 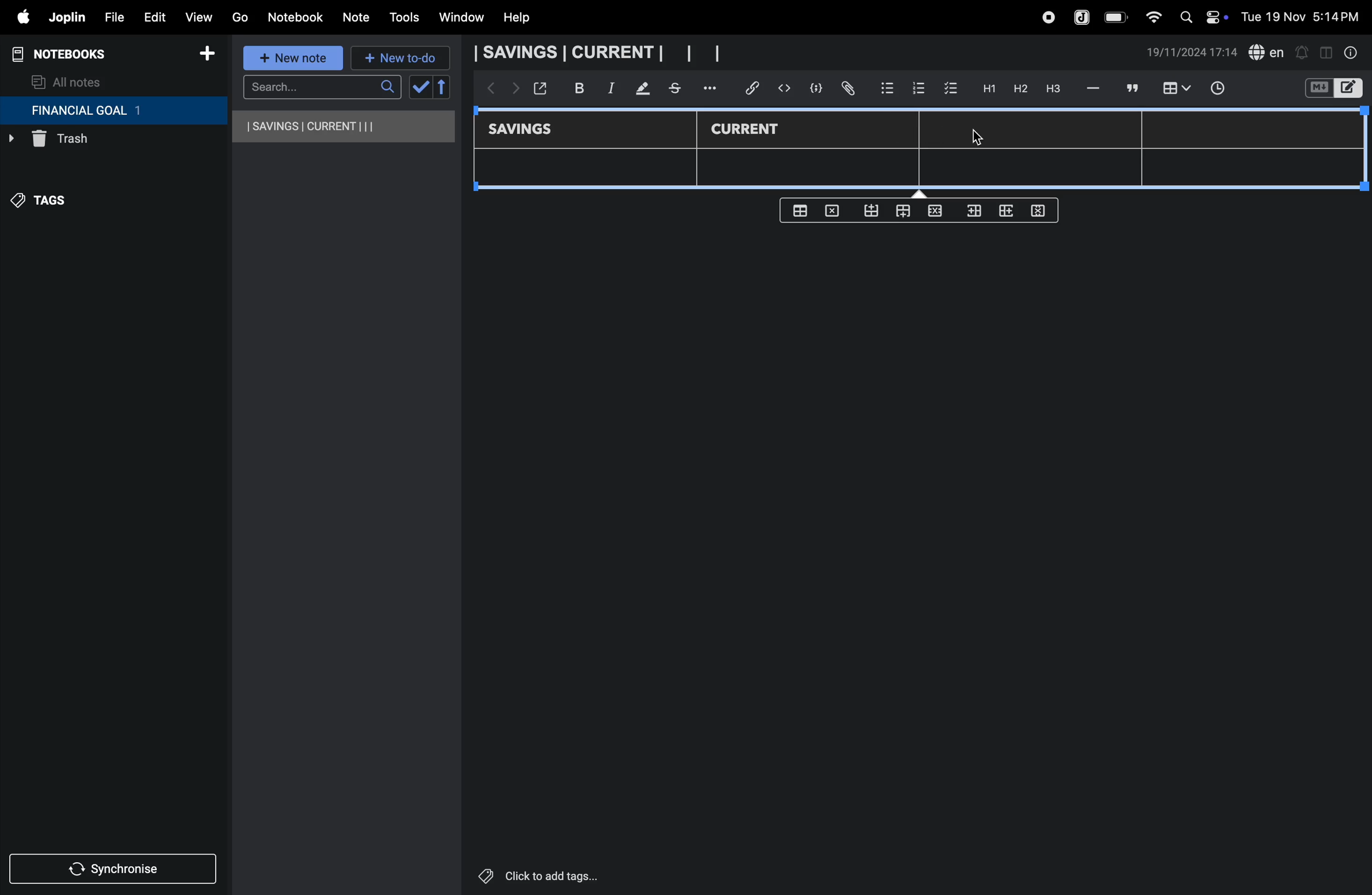 I want to click on apple menu, so click(x=17, y=17).